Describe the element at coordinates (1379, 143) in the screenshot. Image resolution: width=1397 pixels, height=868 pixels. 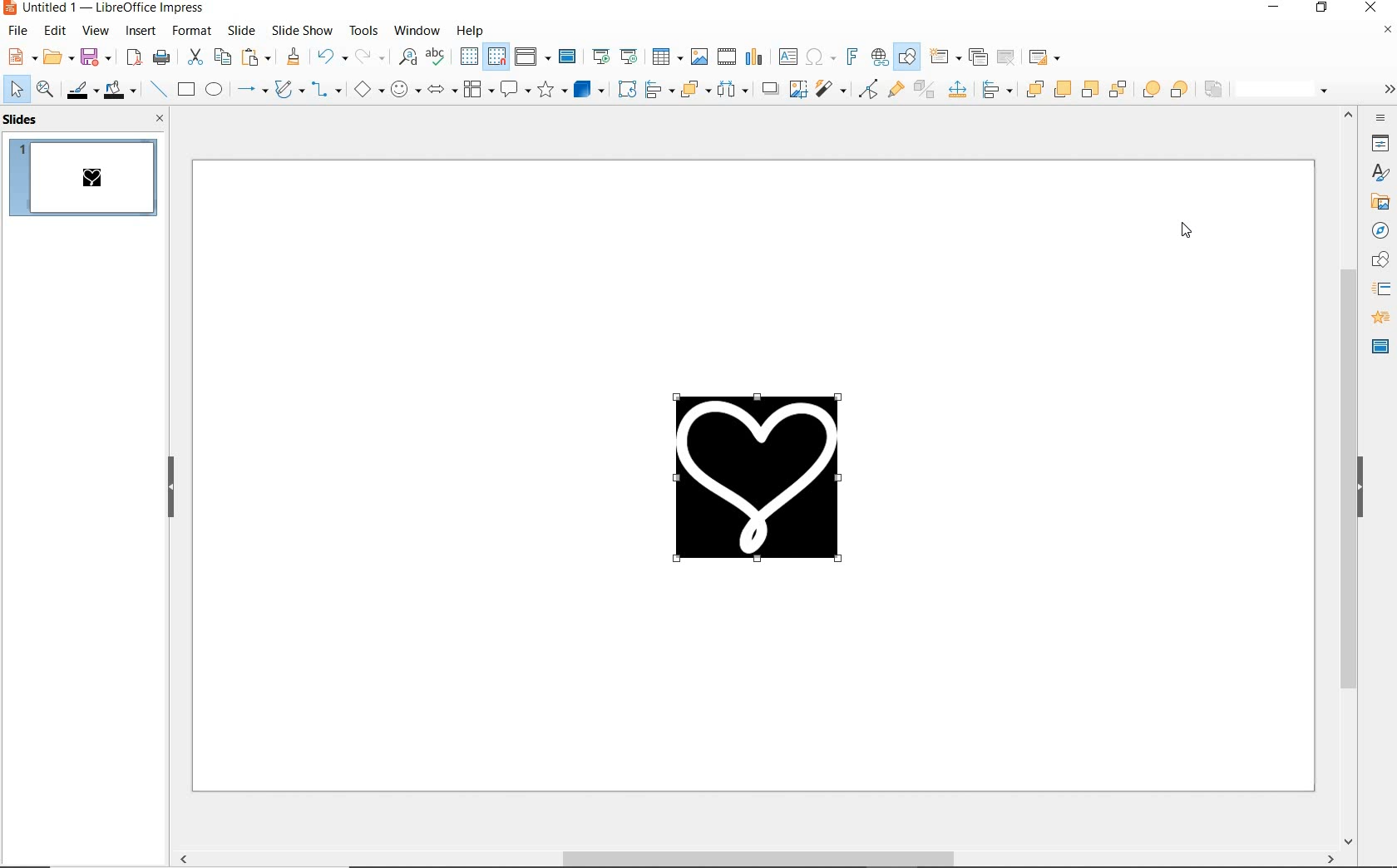
I see `color` at that location.